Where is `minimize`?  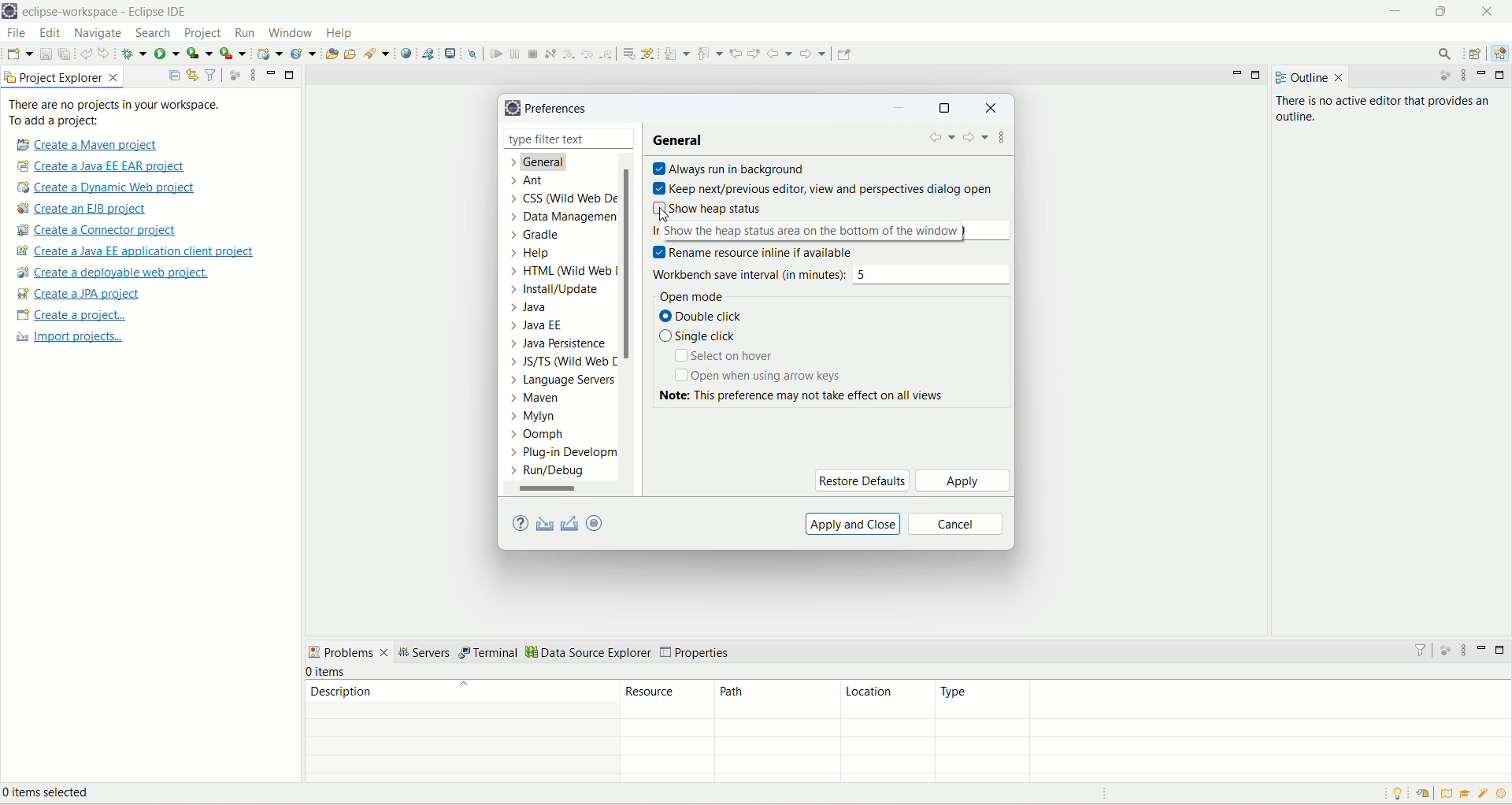
minimize is located at coordinates (1237, 77).